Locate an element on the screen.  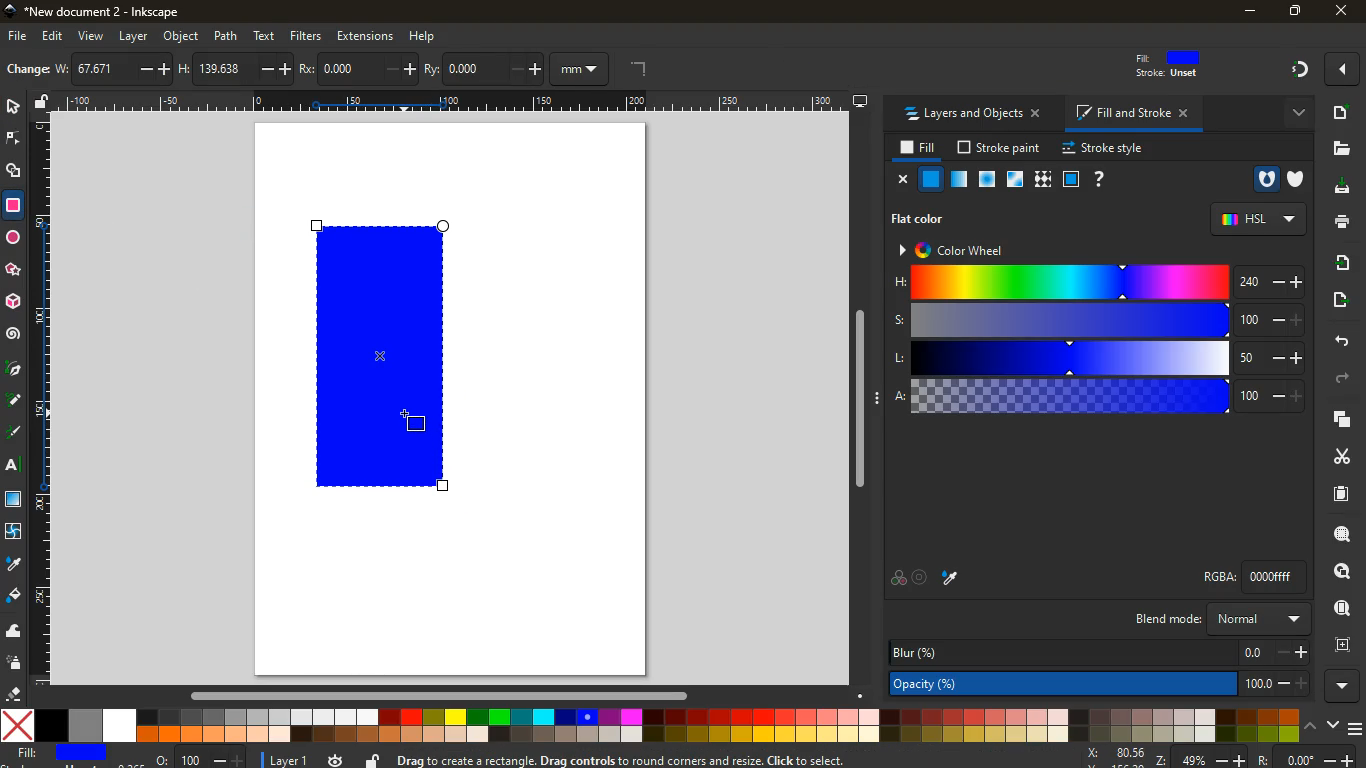
fill is located at coordinates (14, 594).